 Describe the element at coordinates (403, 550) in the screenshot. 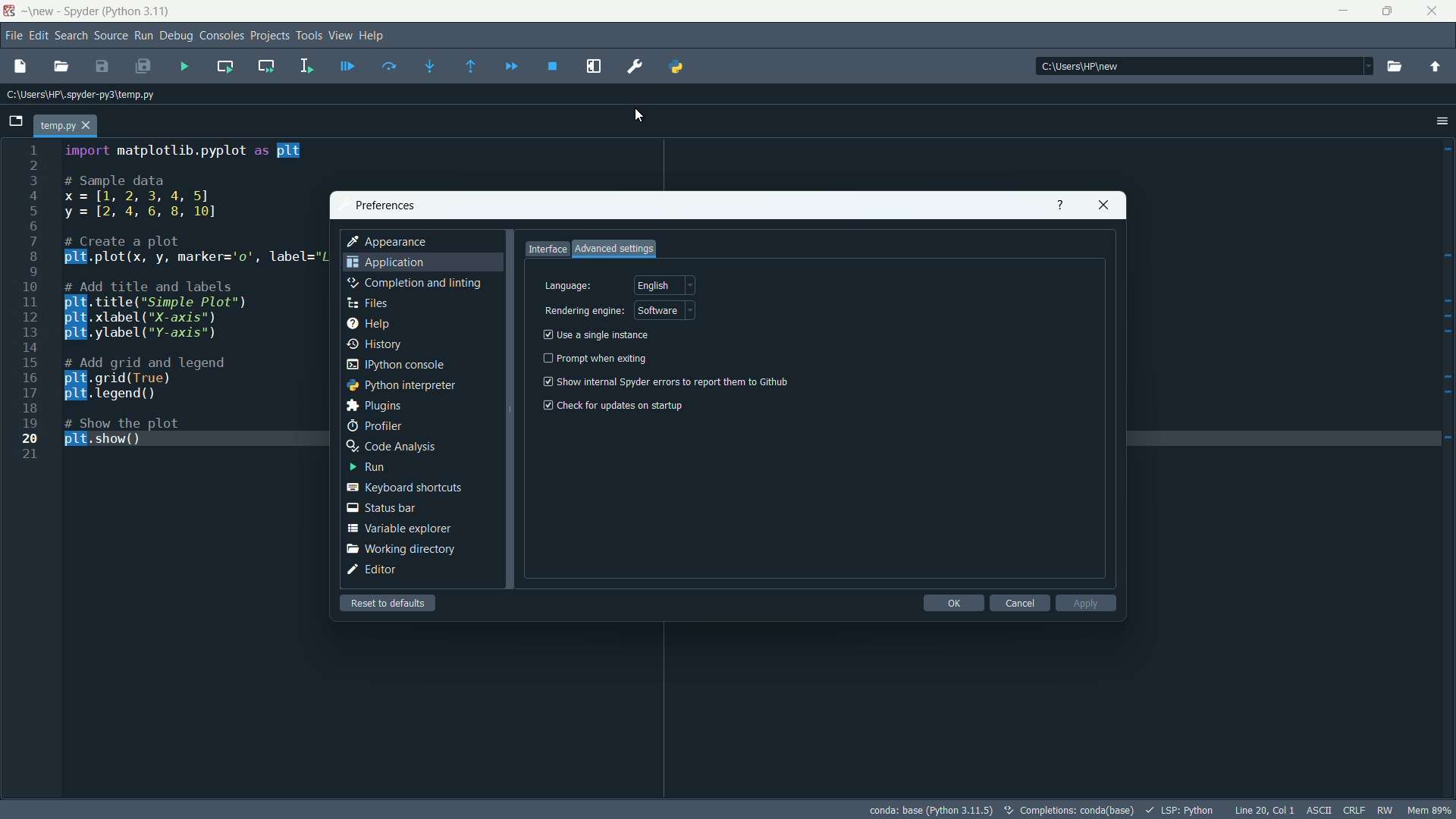

I see `working directory` at that location.